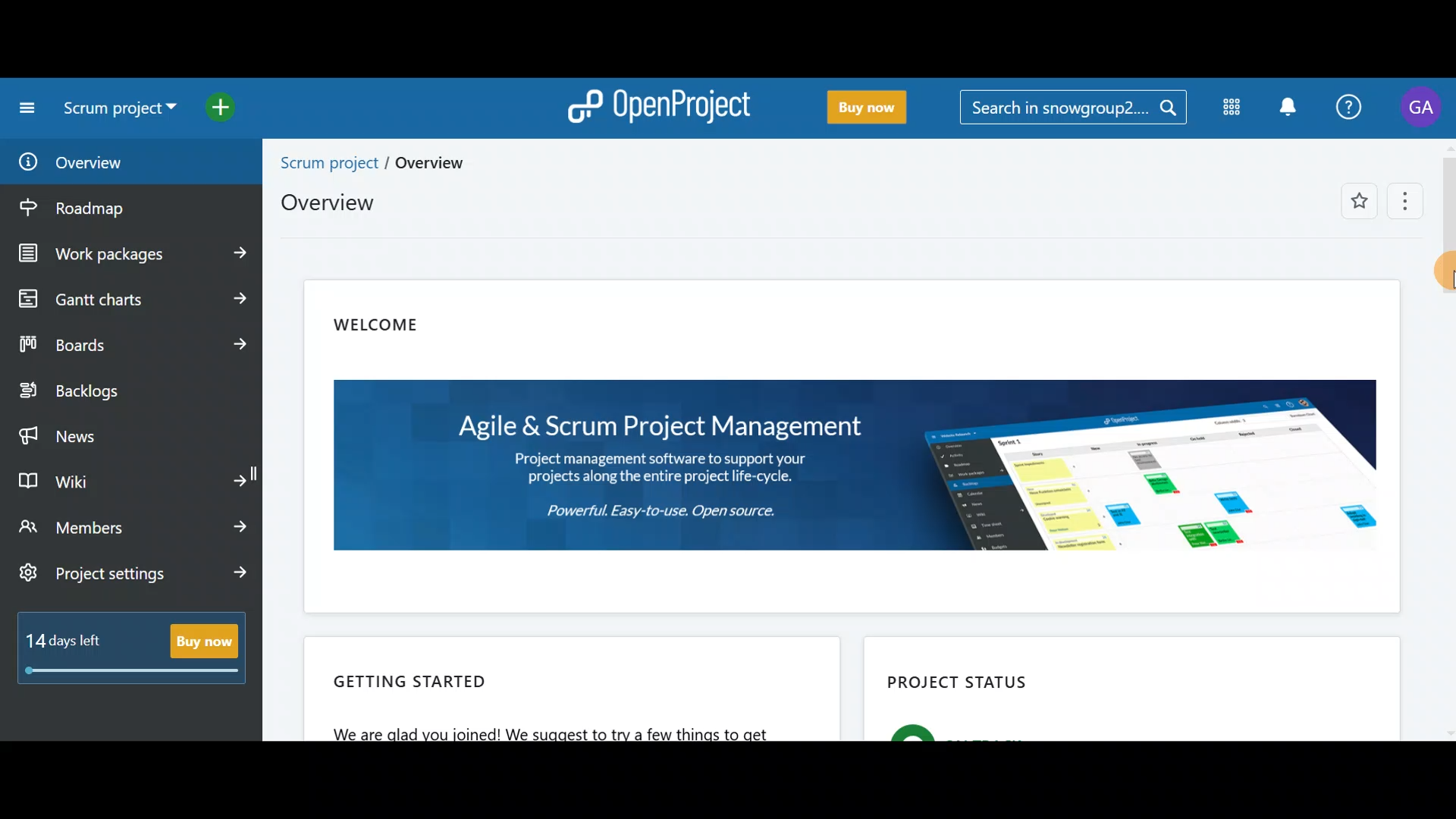 Image resolution: width=1456 pixels, height=819 pixels. What do you see at coordinates (131, 478) in the screenshot?
I see `Wiki` at bounding box center [131, 478].